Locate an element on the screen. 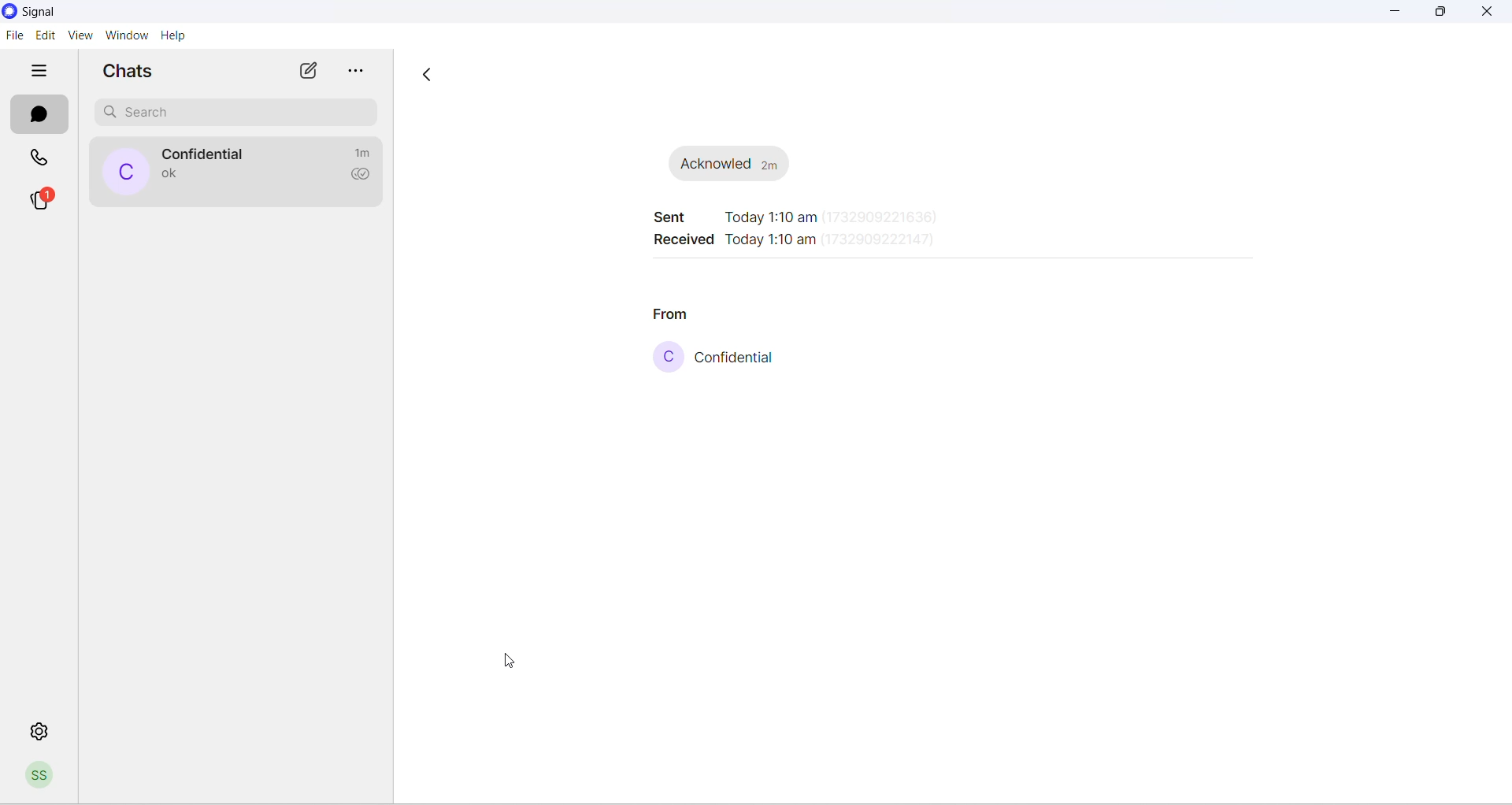 The image size is (1512, 805). contact name is located at coordinates (744, 360).